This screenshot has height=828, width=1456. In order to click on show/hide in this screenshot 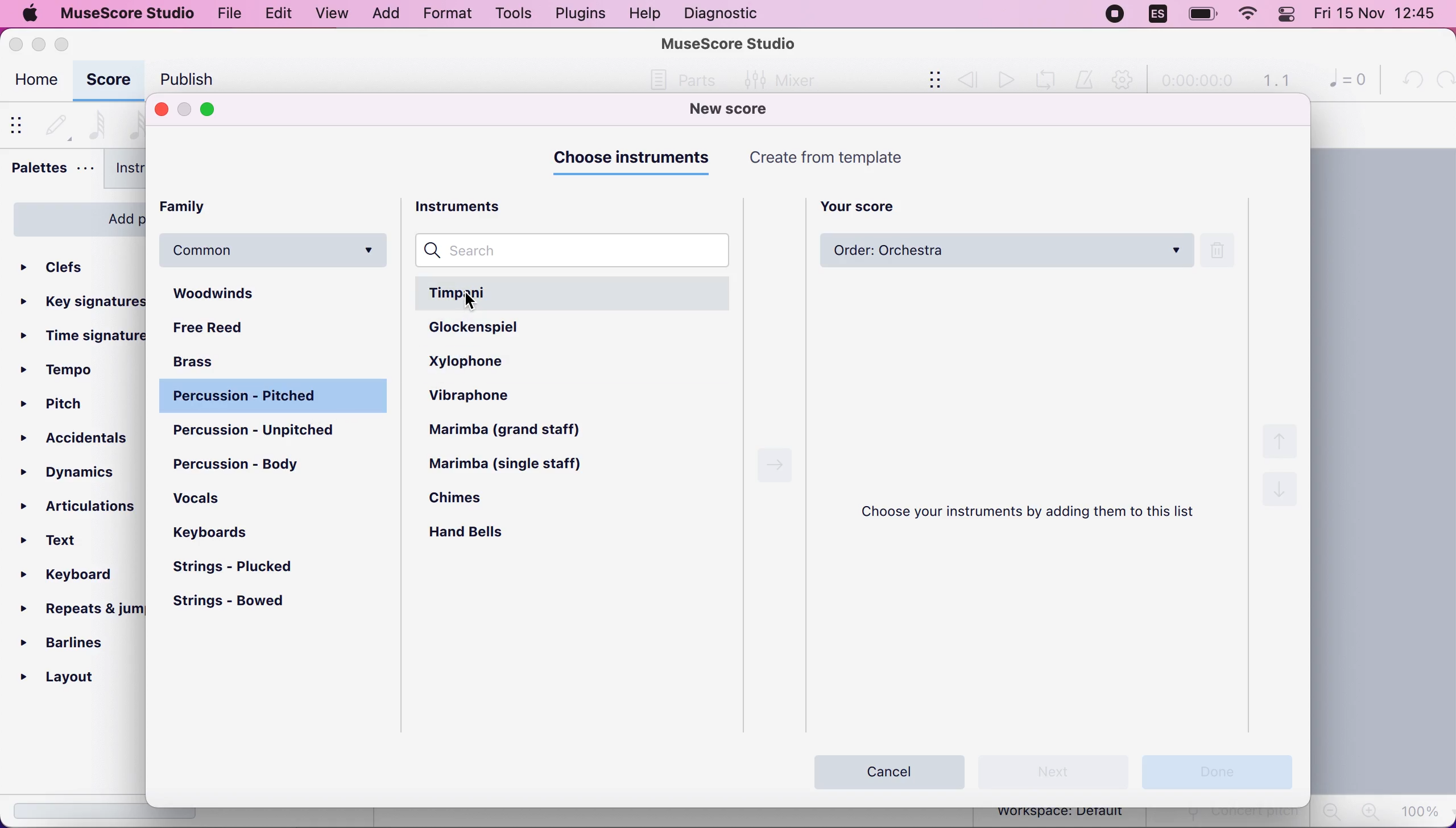, I will do `click(20, 124)`.